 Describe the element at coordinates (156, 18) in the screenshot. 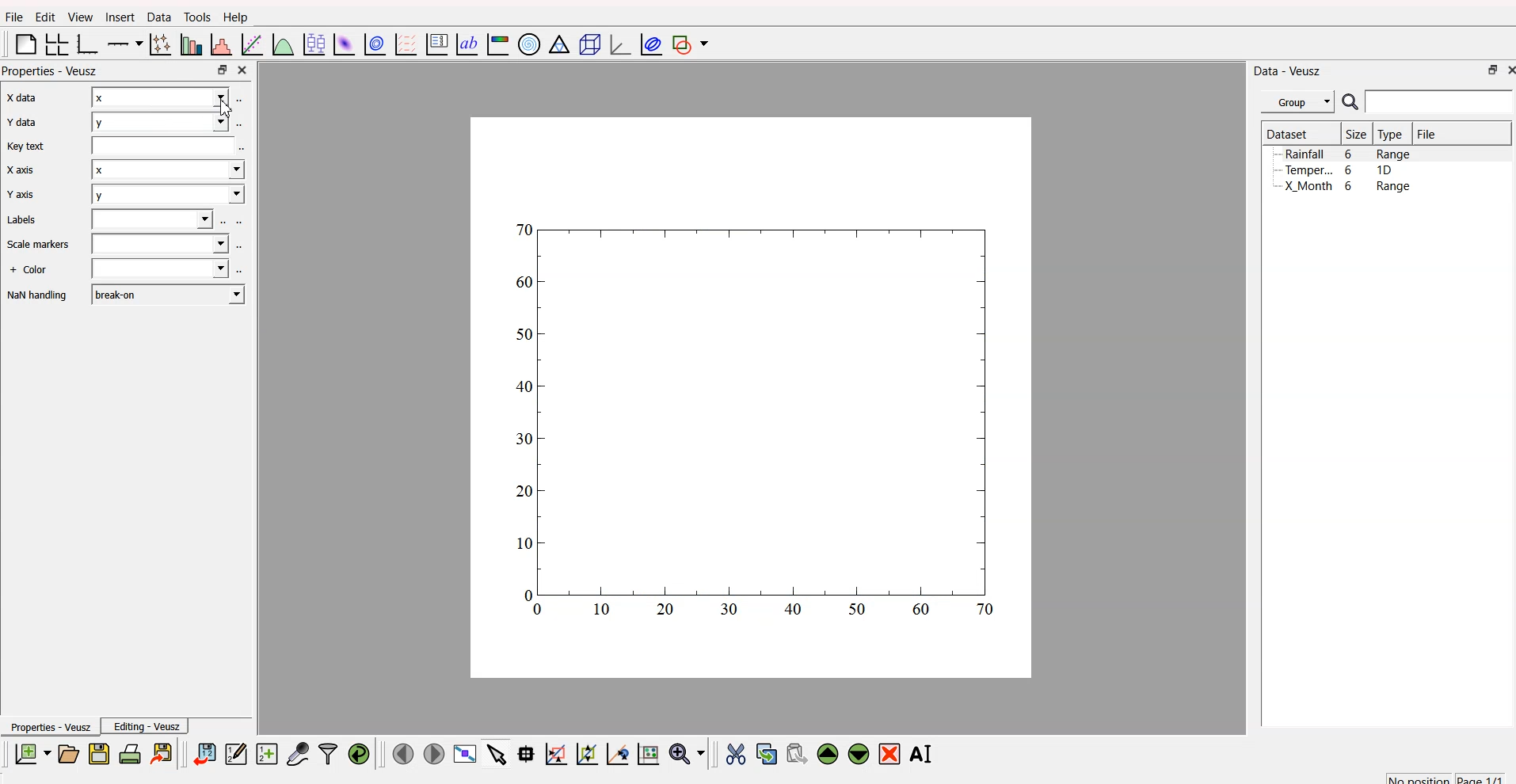

I see `Data` at that location.